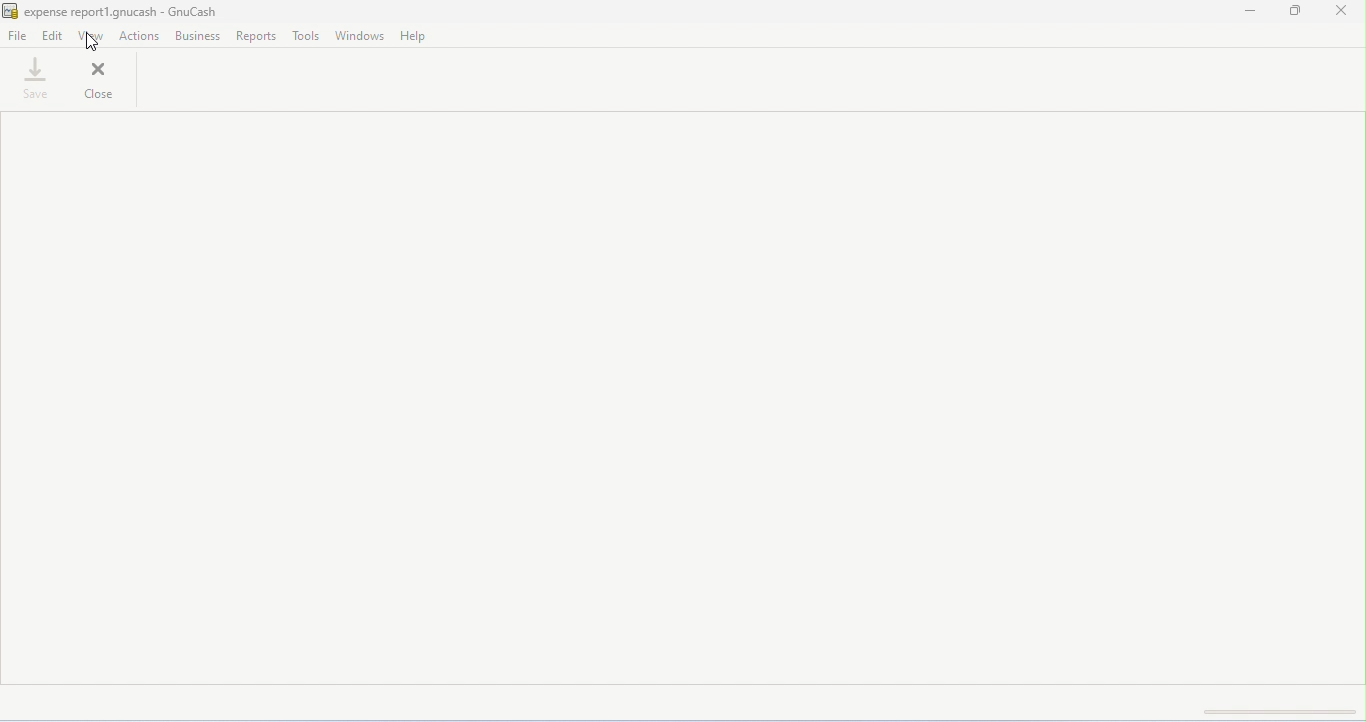  What do you see at coordinates (198, 36) in the screenshot?
I see `business` at bounding box center [198, 36].